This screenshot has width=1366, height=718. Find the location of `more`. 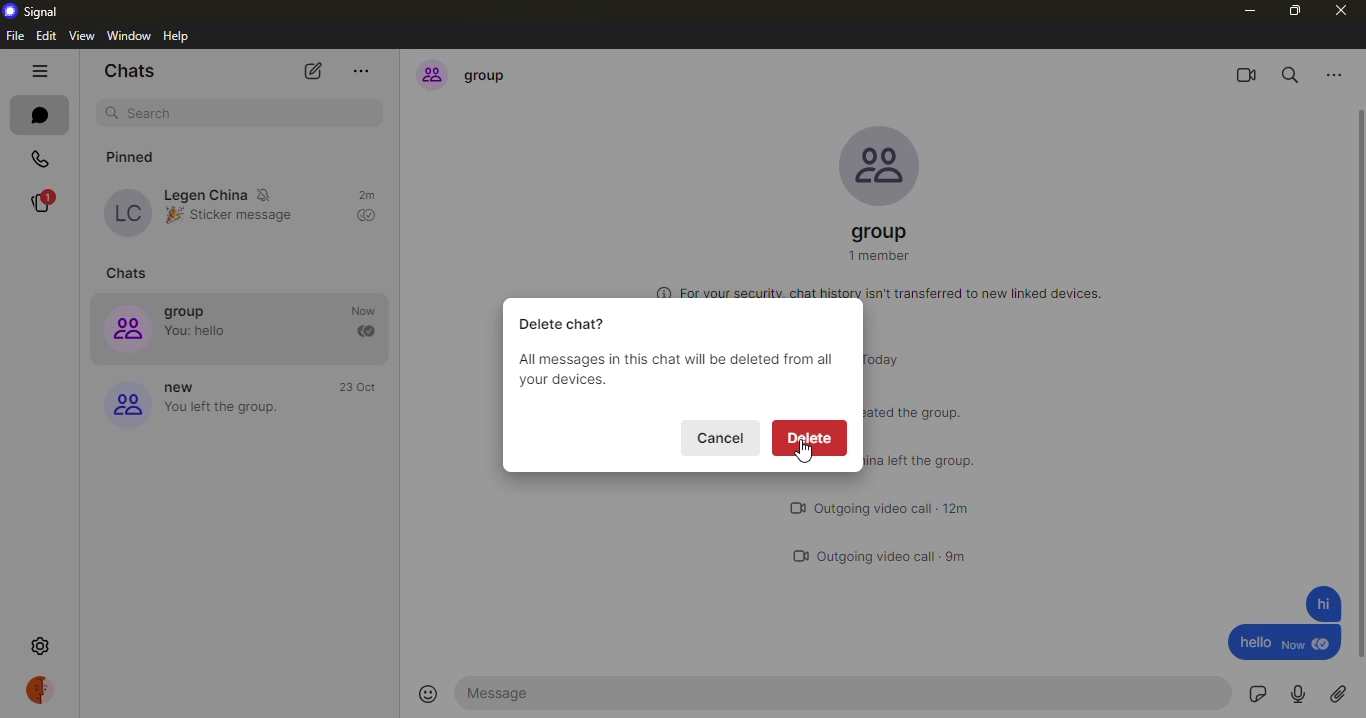

more is located at coordinates (1336, 73).